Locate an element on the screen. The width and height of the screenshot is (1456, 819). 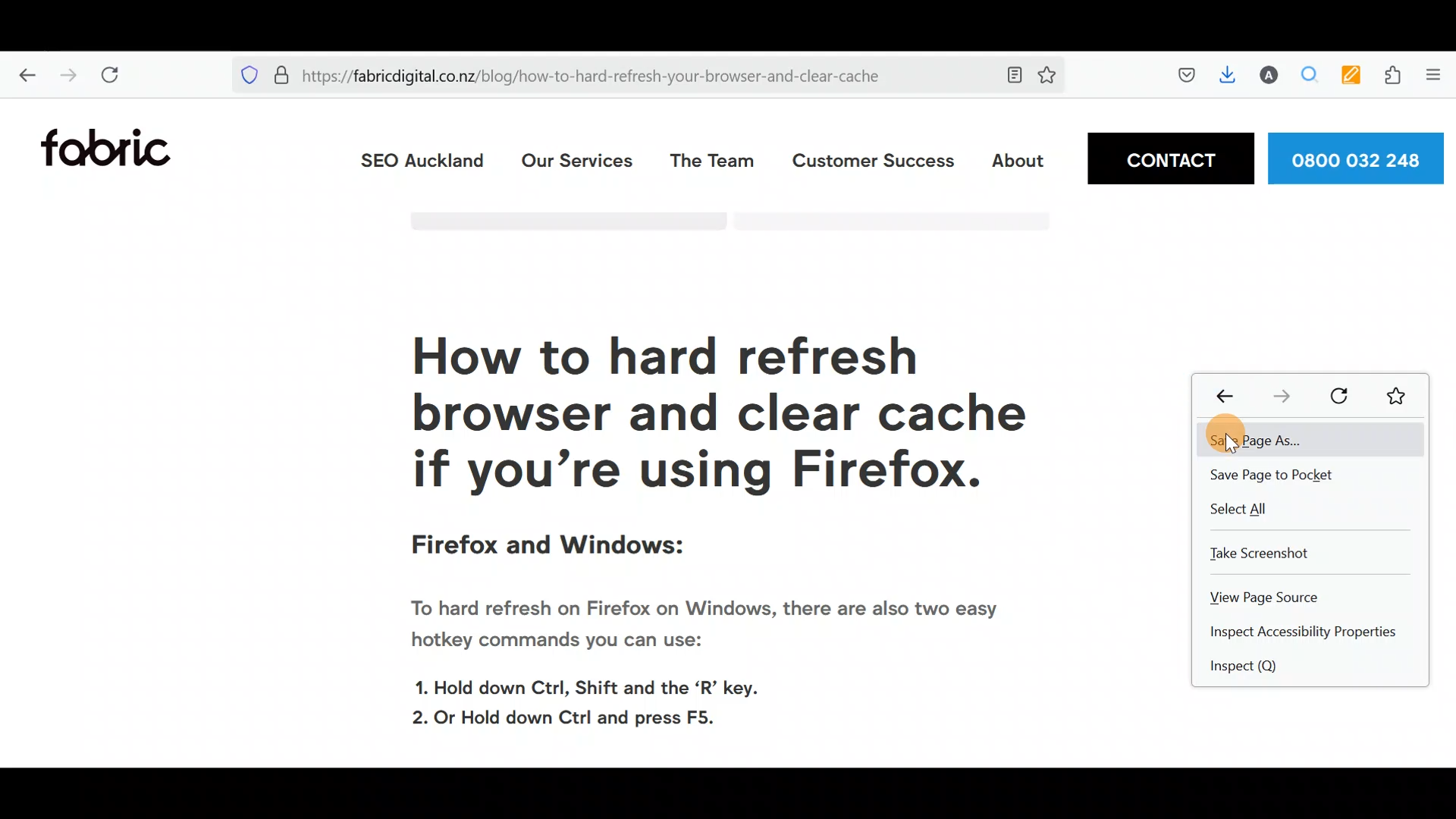
Go back one page is located at coordinates (1227, 396).